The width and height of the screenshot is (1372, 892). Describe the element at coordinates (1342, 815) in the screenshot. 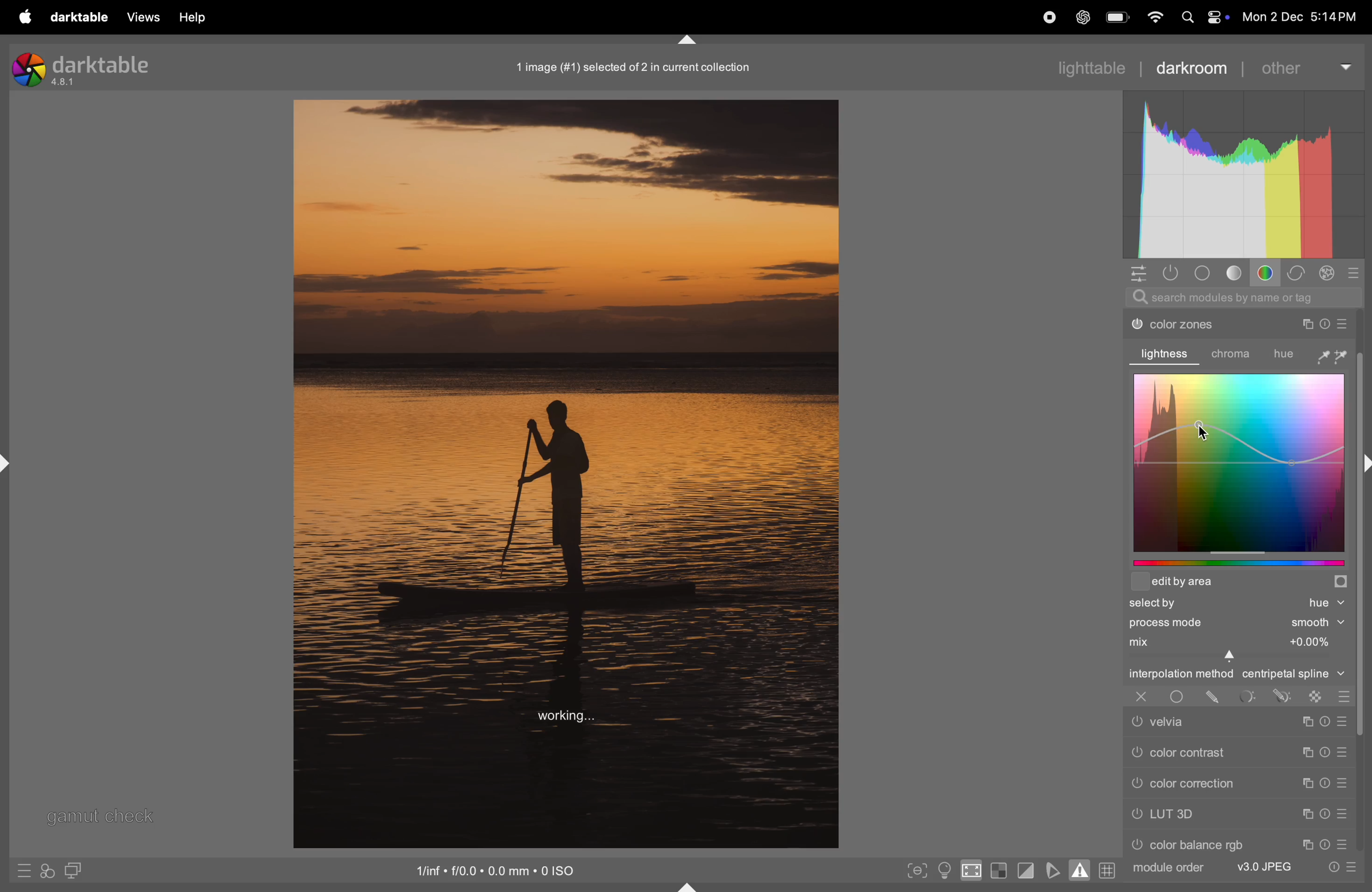

I see `preset` at that location.